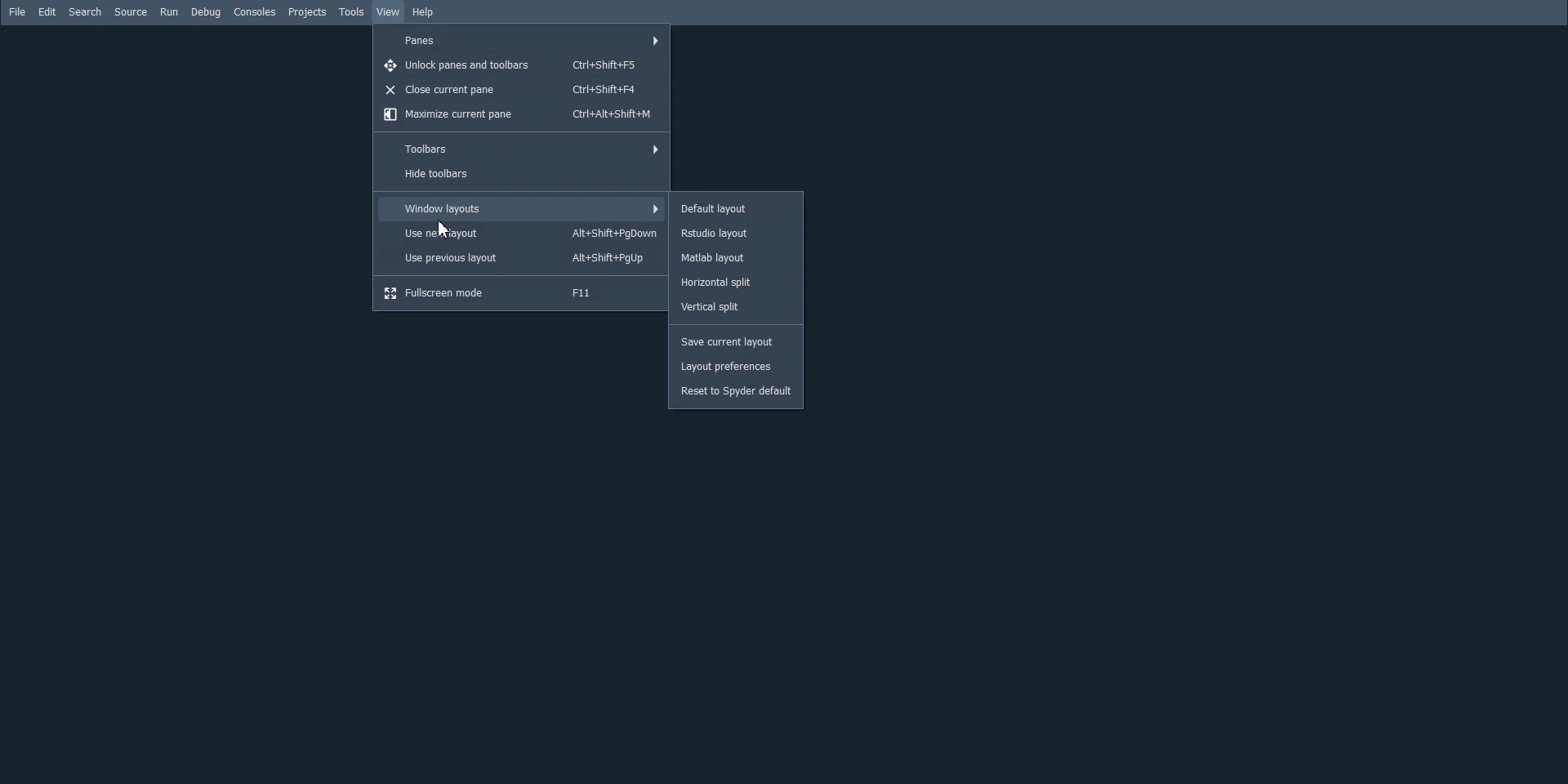 The height and width of the screenshot is (784, 1568). I want to click on Unlock panes and toolbars, so click(522, 64).